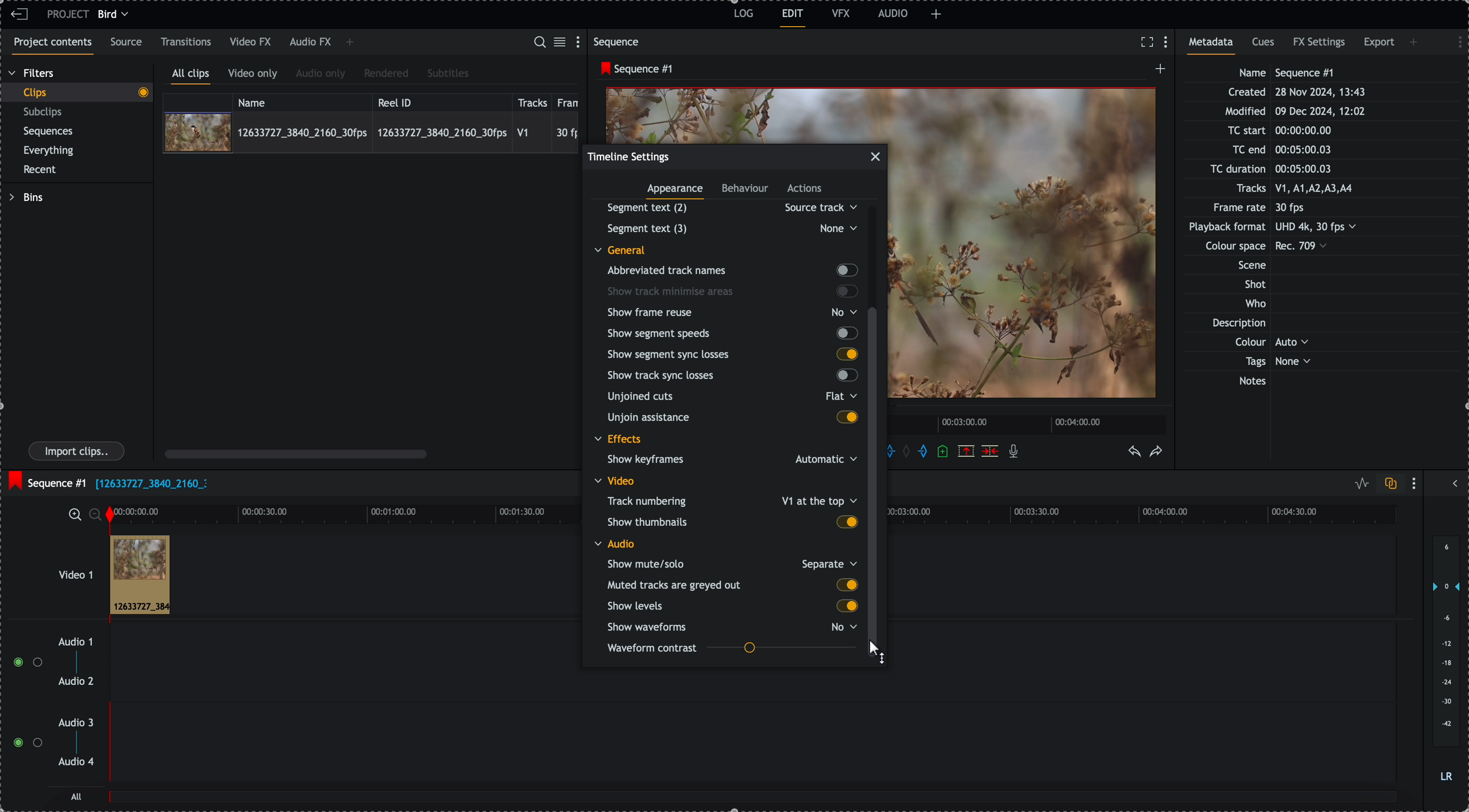  I want to click on mouse up, so click(876, 650).